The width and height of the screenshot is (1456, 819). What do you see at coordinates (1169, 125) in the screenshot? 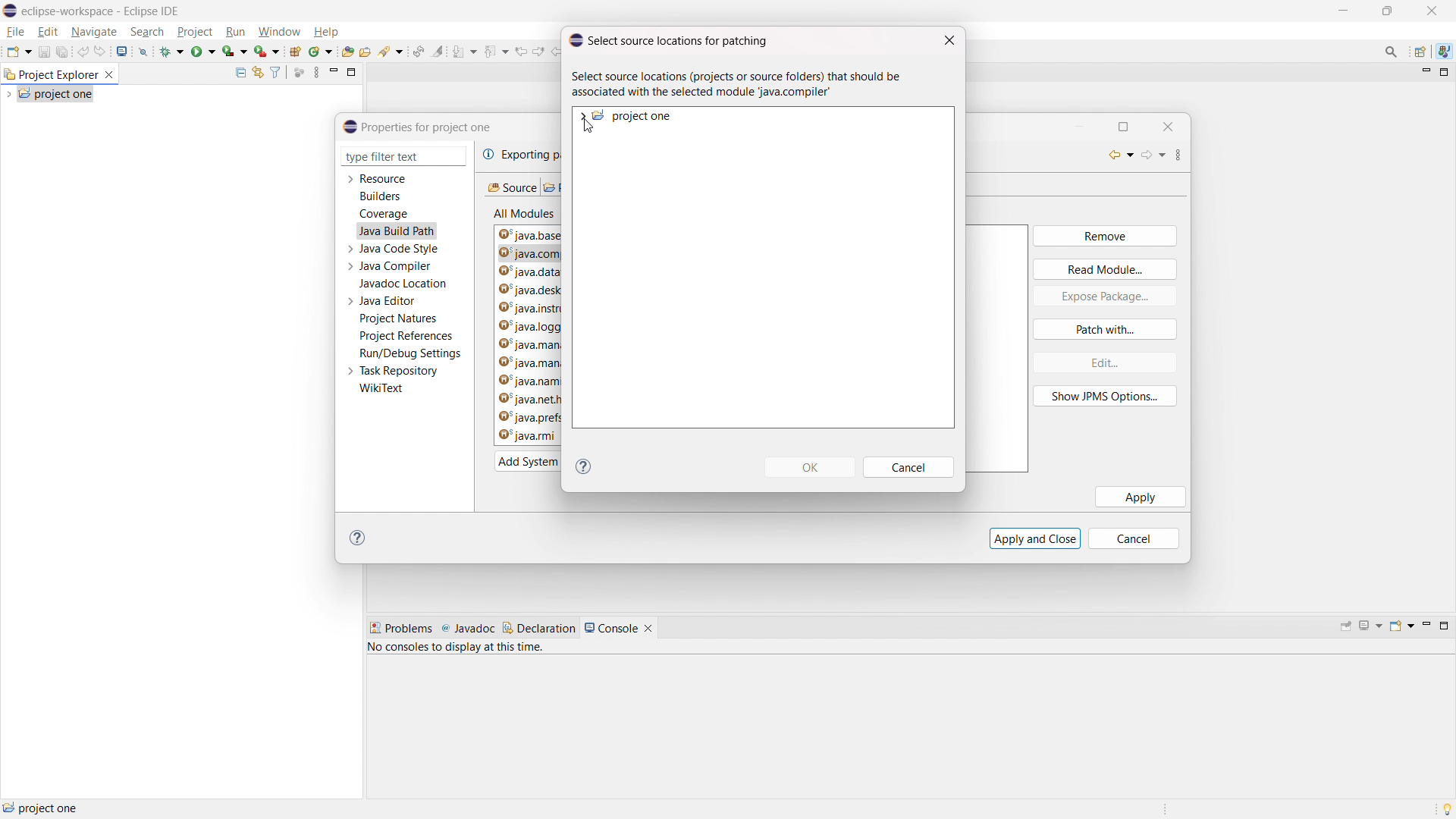
I see `close` at bounding box center [1169, 125].